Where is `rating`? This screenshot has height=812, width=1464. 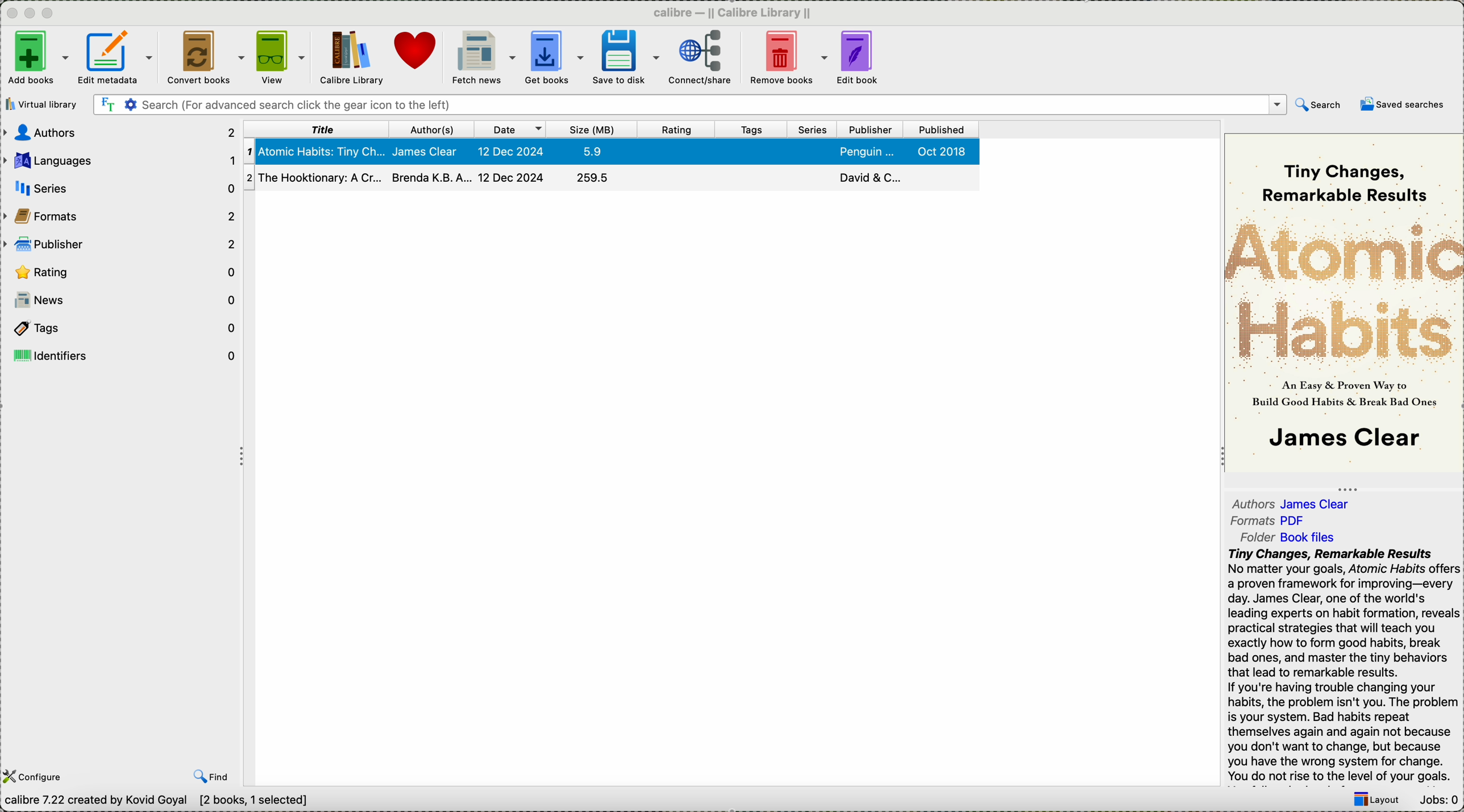 rating is located at coordinates (676, 130).